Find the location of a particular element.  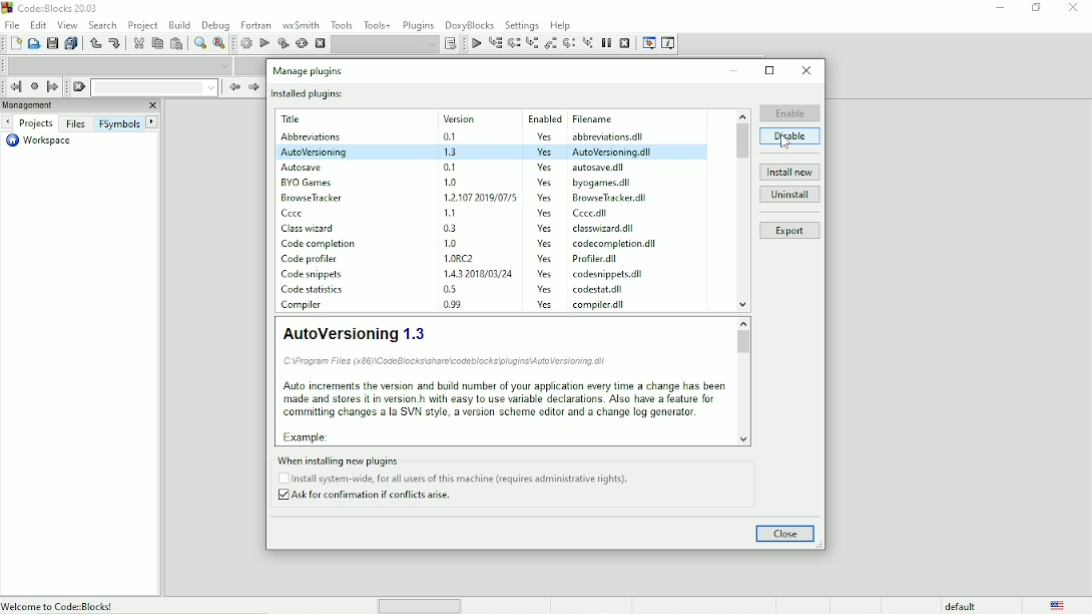

Yes is located at coordinates (547, 289).